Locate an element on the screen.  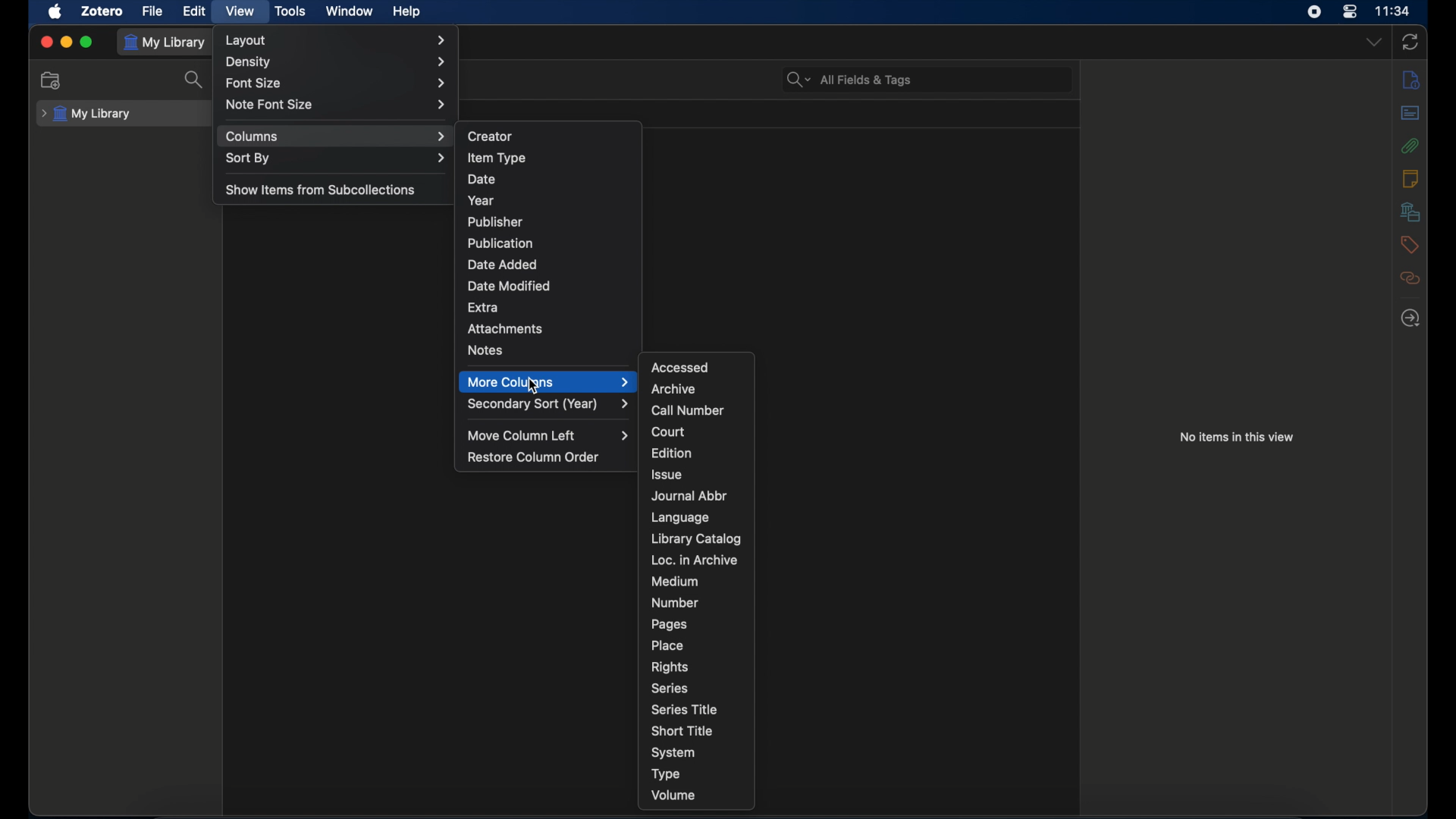
court is located at coordinates (667, 431).